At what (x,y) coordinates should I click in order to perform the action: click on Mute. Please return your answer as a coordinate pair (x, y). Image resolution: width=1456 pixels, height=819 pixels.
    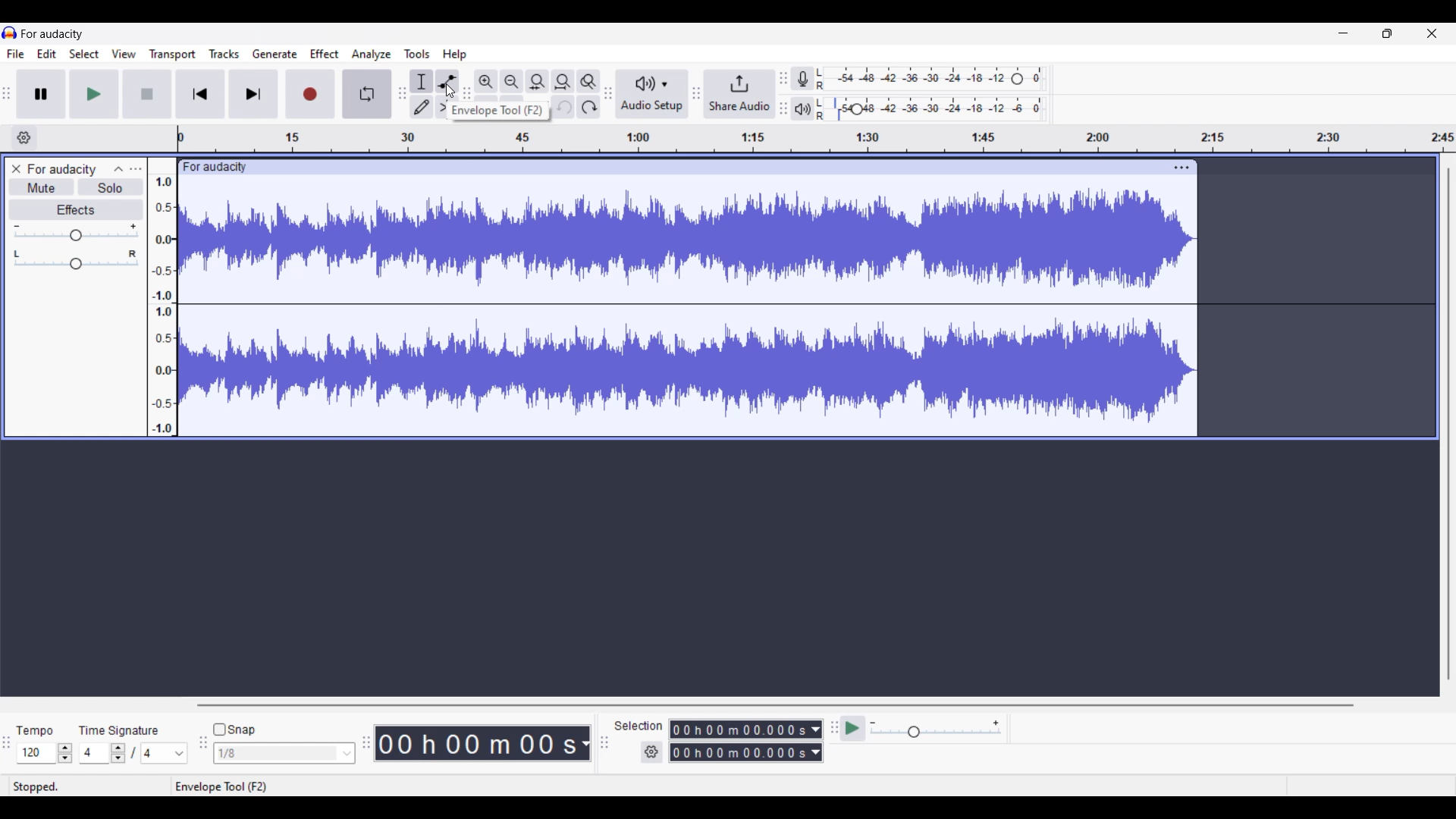
    Looking at the image, I should click on (41, 187).